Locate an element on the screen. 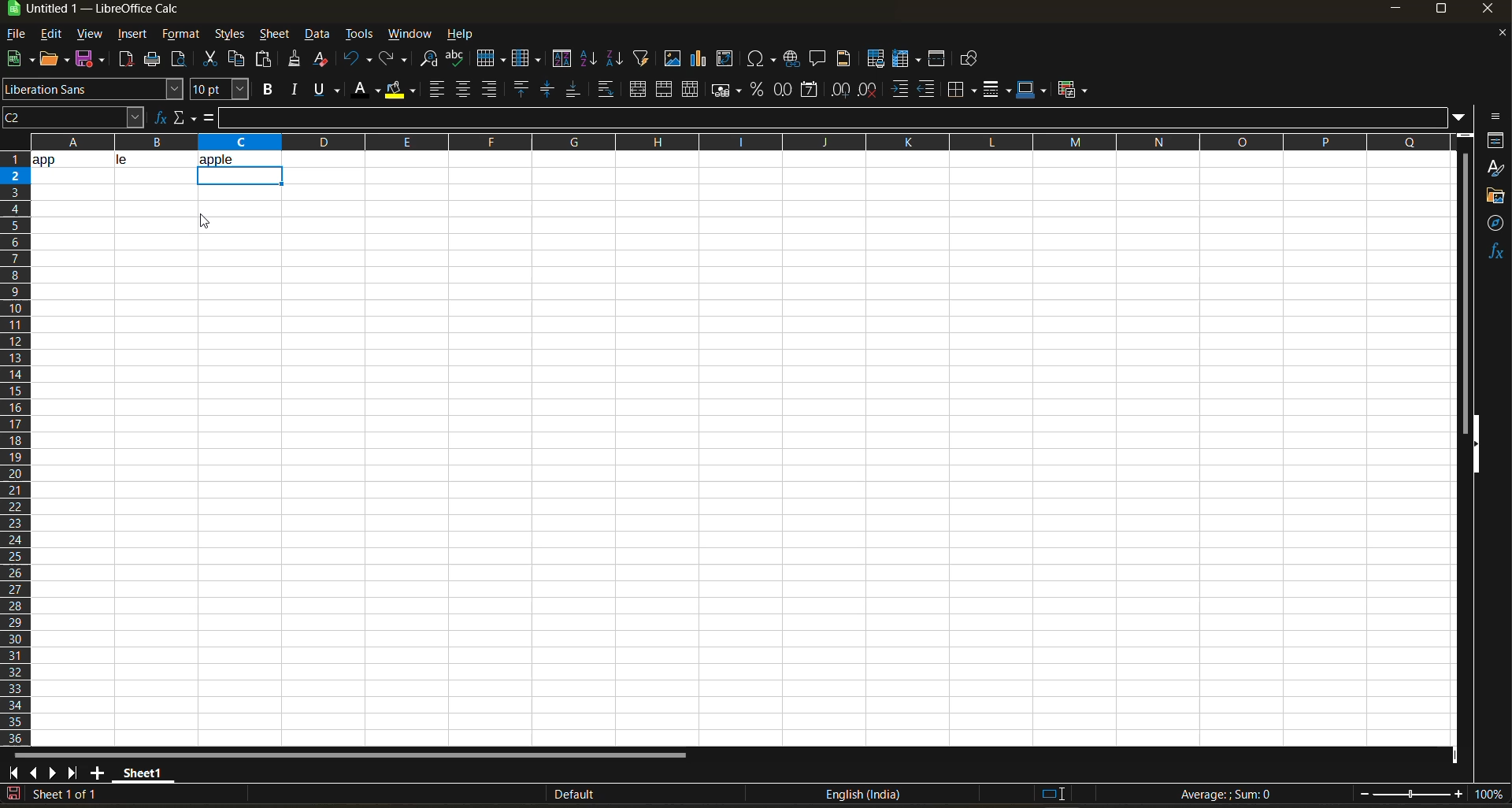 The width and height of the screenshot is (1512, 808). standard selection is located at coordinates (1053, 793).